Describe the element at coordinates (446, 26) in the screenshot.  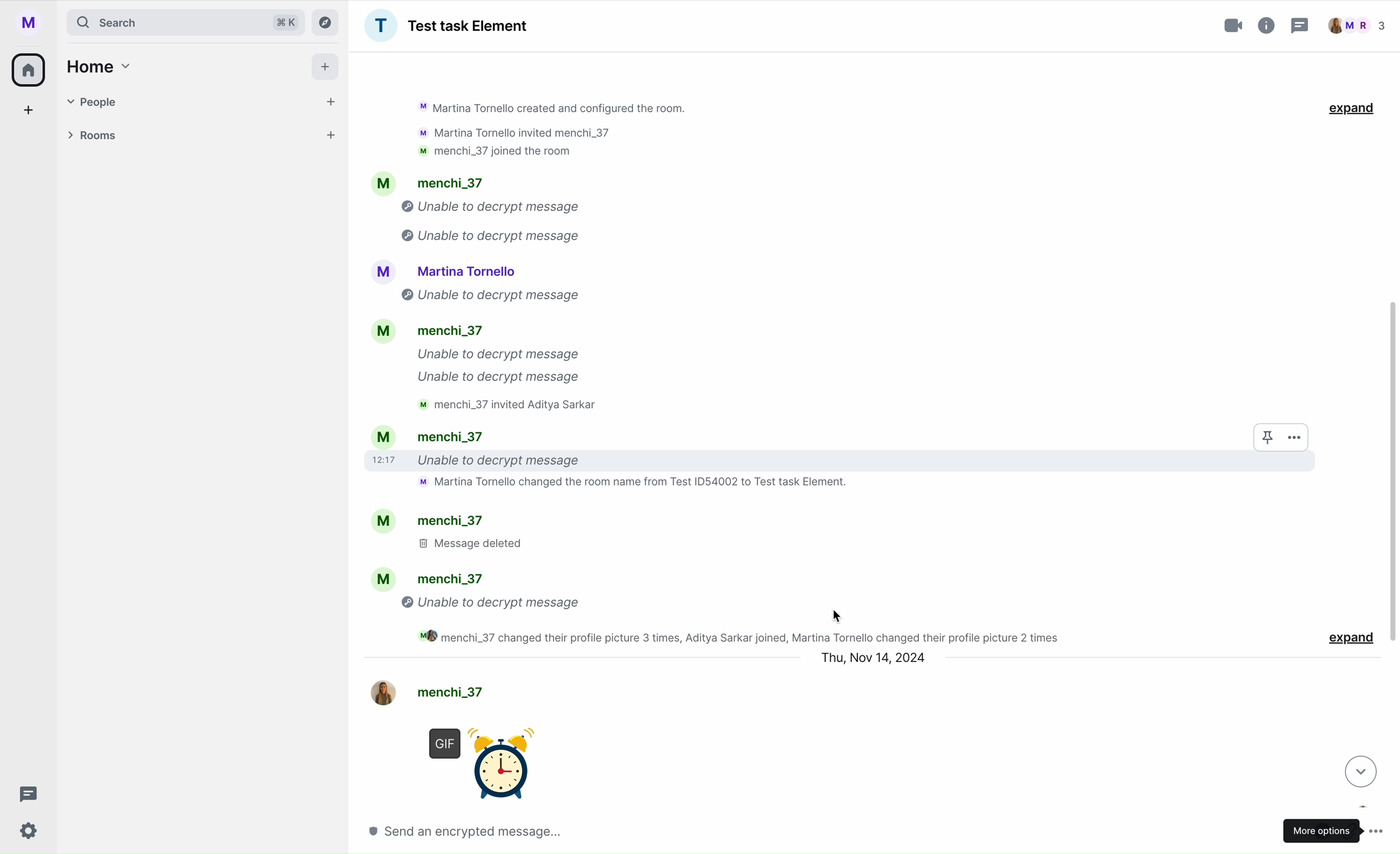
I see `Test task Element` at that location.